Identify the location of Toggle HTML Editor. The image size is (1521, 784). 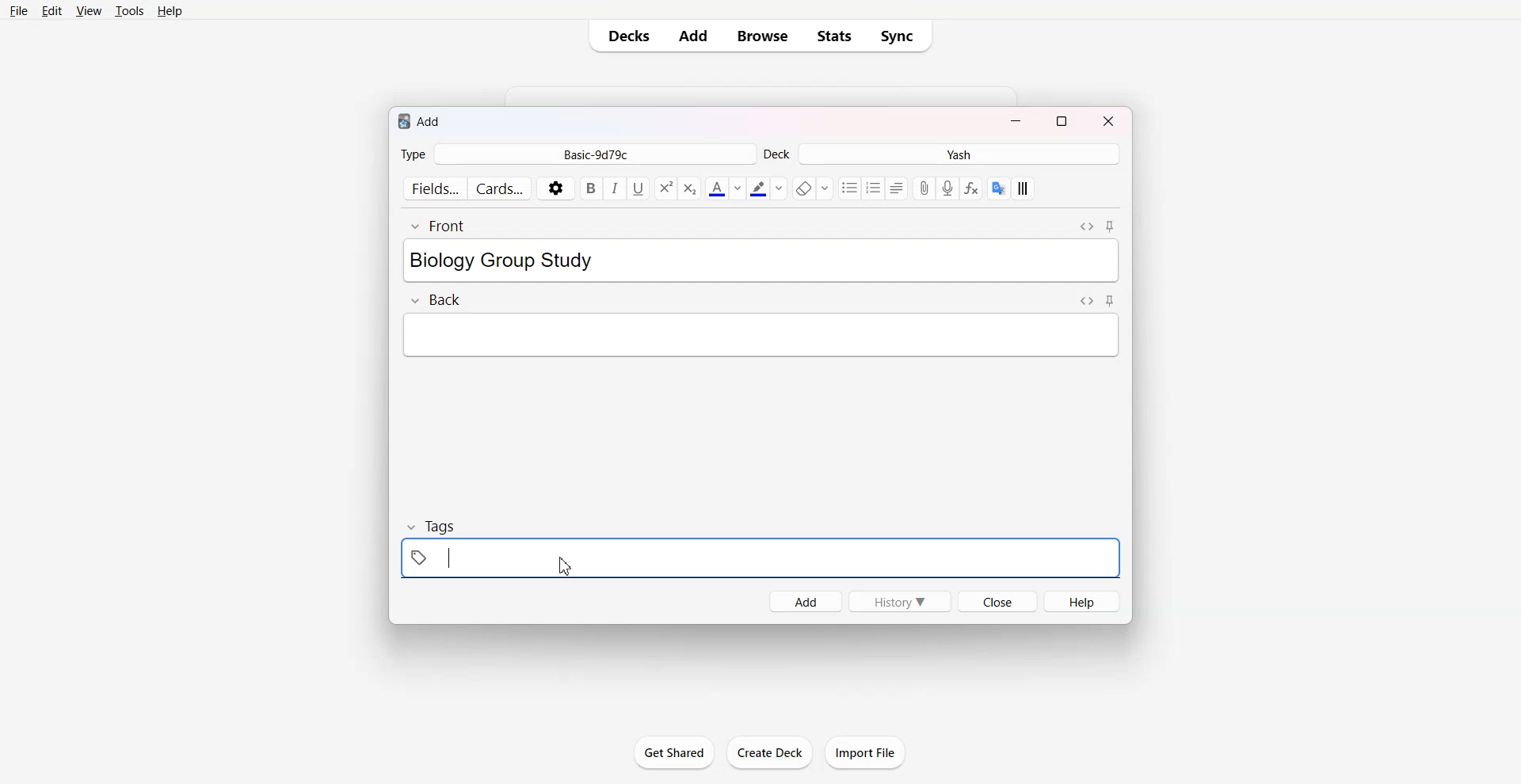
(1087, 226).